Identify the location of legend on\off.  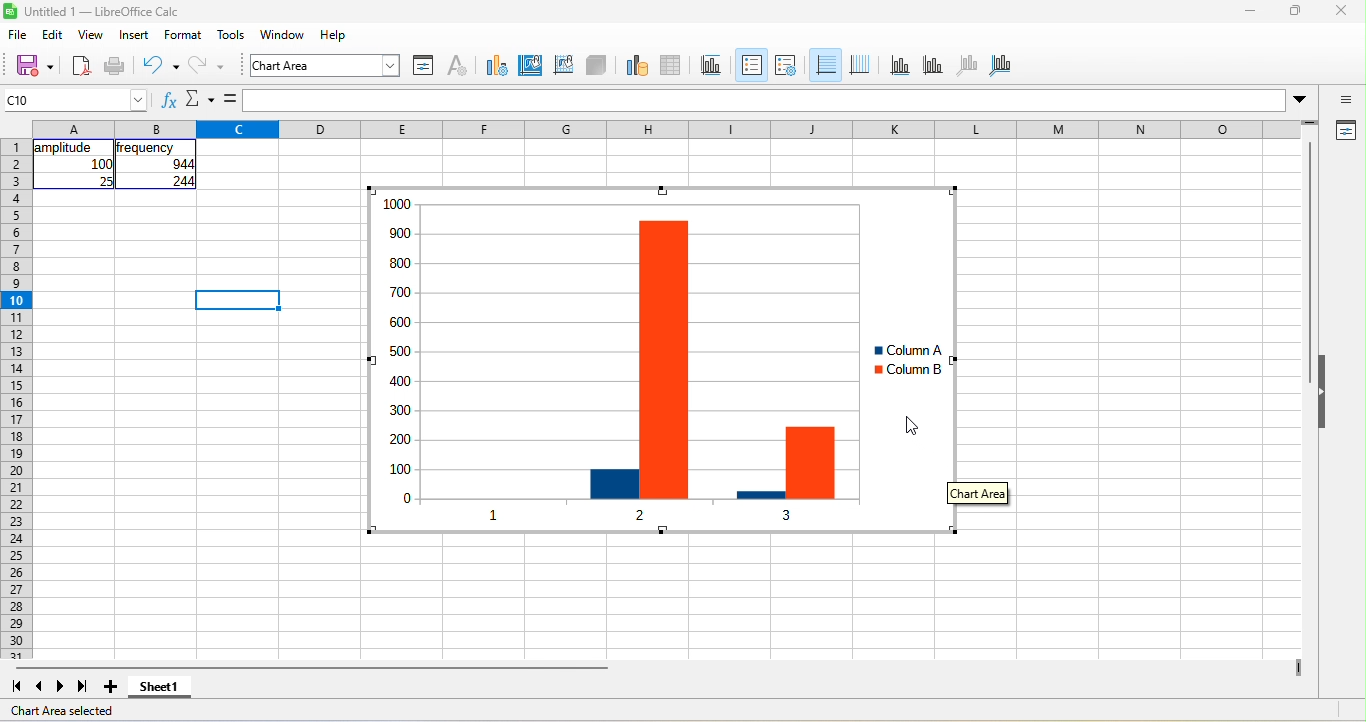
(752, 65).